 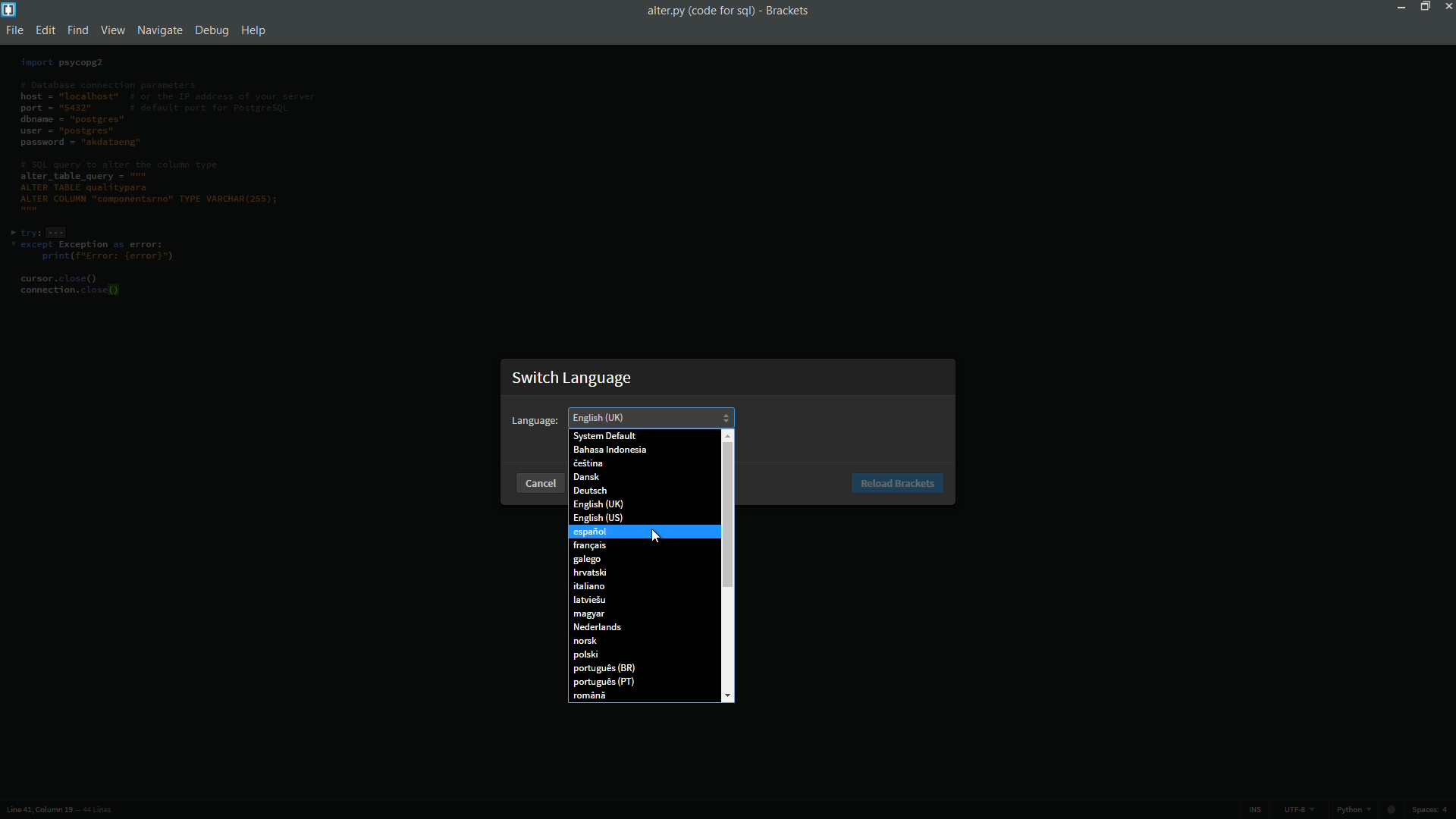 I want to click on Language, so click(x=536, y=420).